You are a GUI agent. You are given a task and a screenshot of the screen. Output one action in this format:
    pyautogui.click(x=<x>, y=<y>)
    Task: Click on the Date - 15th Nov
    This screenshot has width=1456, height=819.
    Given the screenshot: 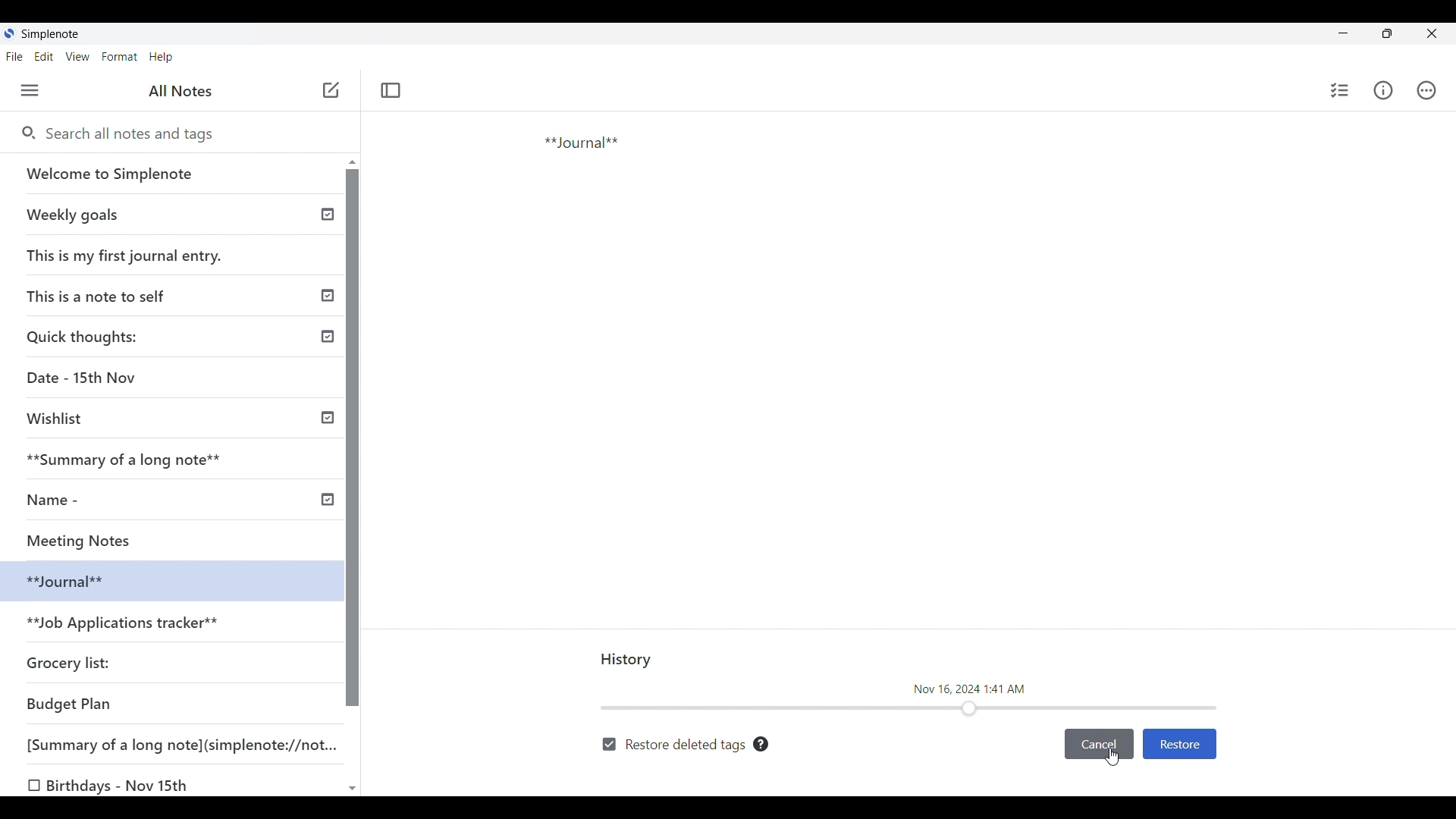 What is the action you would take?
    pyautogui.click(x=84, y=378)
    